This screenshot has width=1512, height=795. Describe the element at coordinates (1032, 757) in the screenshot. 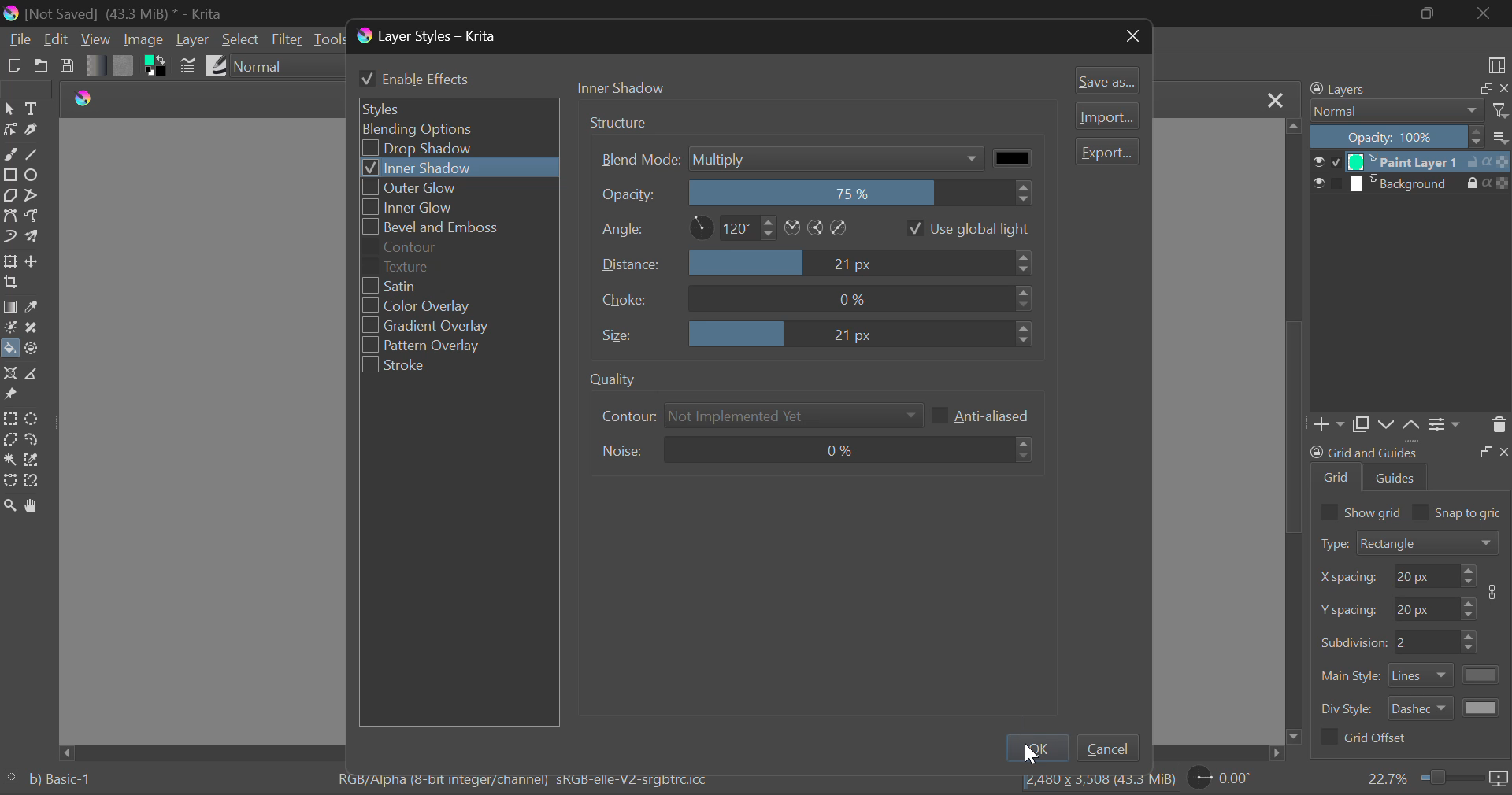

I see `cursor` at that location.